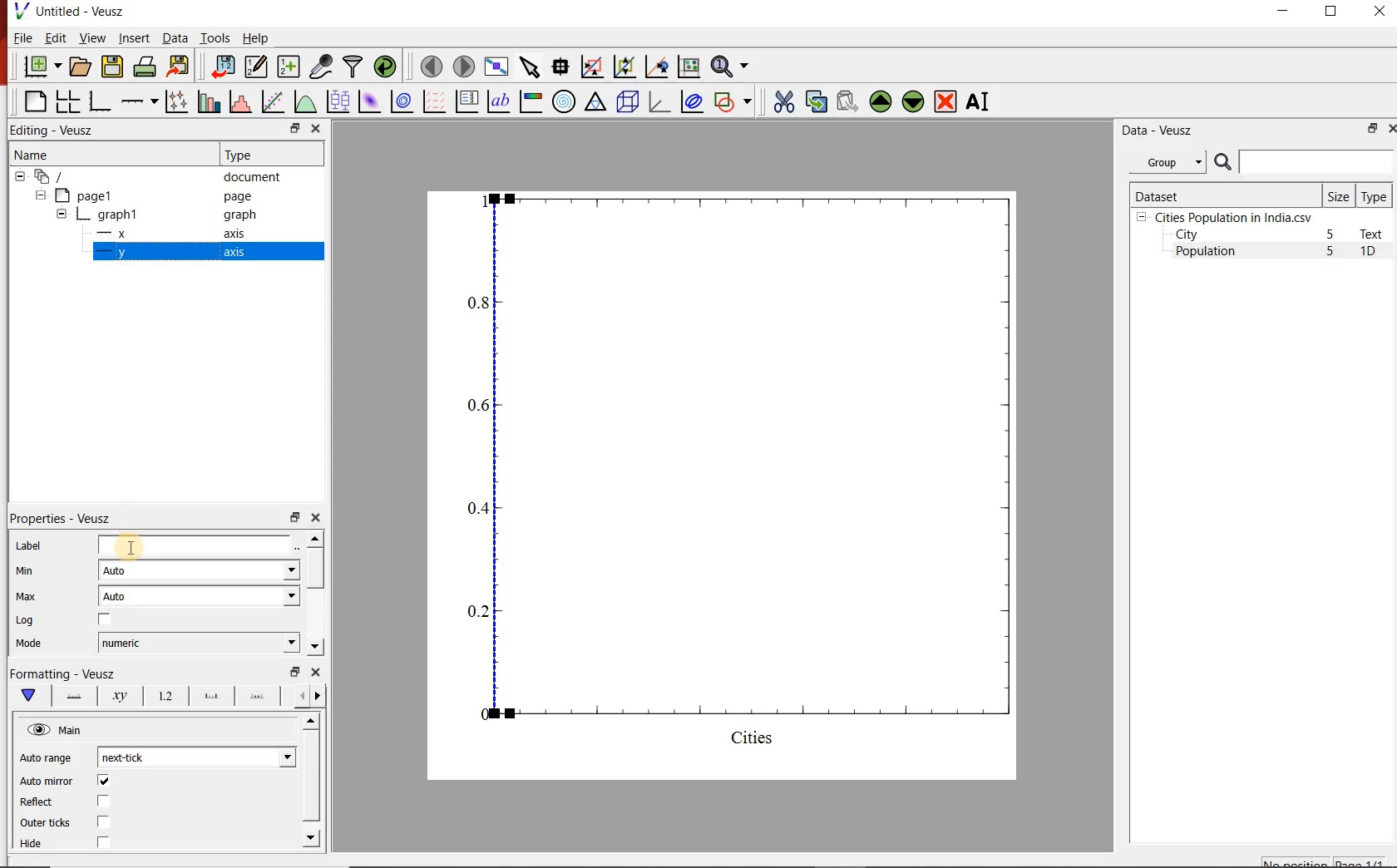 Image resolution: width=1397 pixels, height=868 pixels. What do you see at coordinates (25, 596) in the screenshot?
I see `Max` at bounding box center [25, 596].